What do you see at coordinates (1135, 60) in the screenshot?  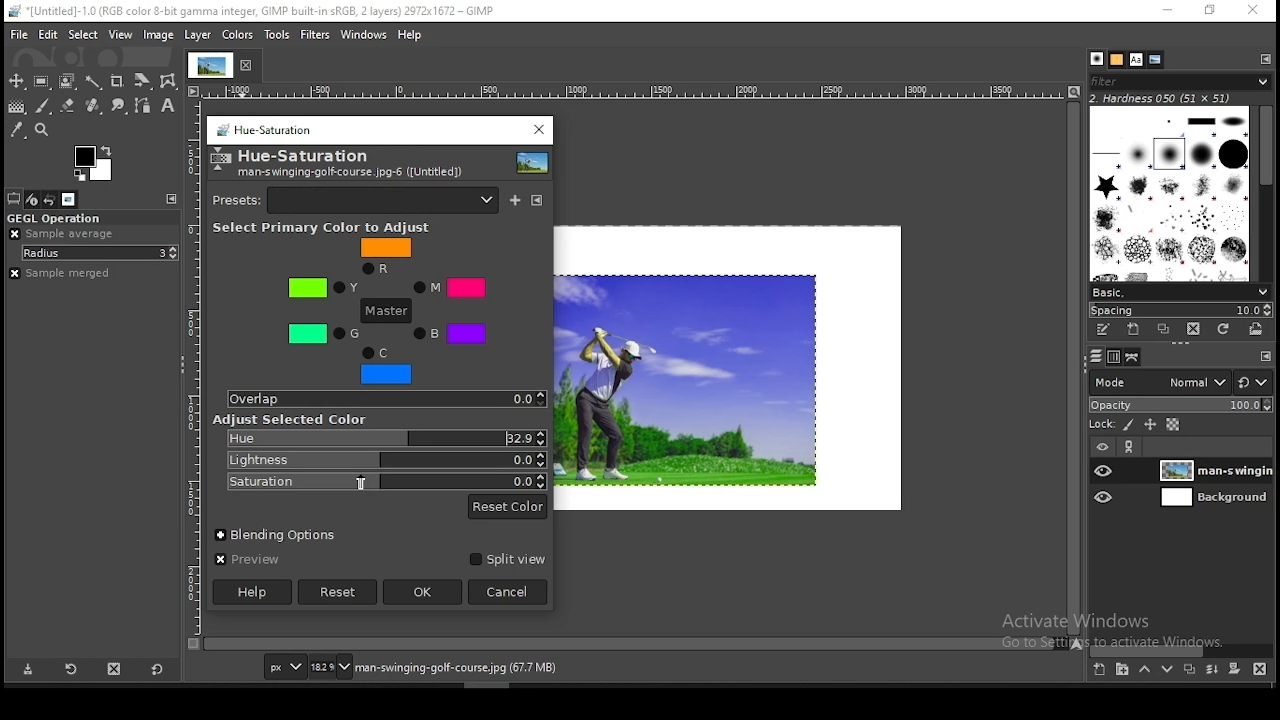 I see `fonts` at bounding box center [1135, 60].